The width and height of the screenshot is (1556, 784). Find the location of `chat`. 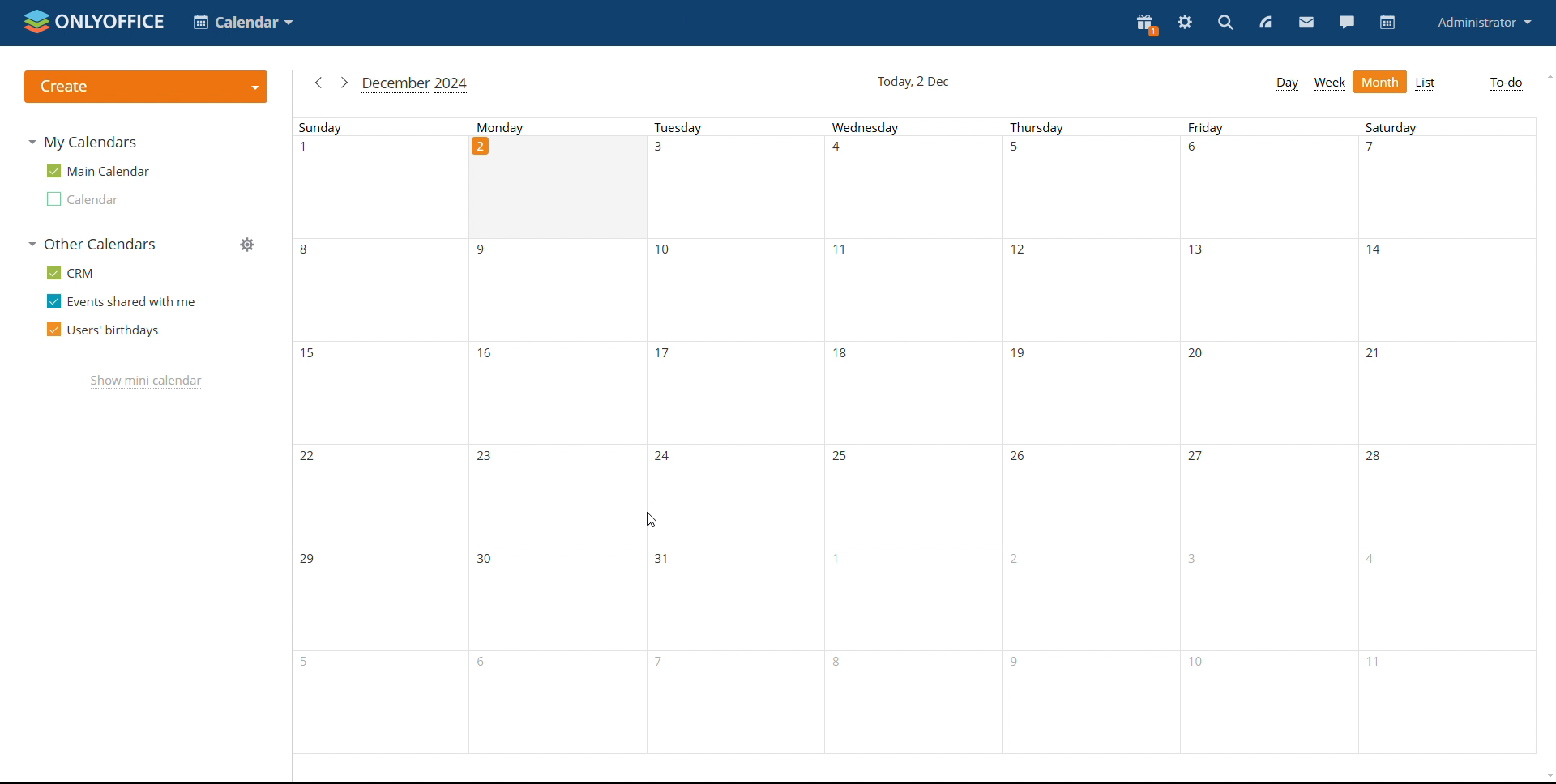

chat is located at coordinates (1347, 23).